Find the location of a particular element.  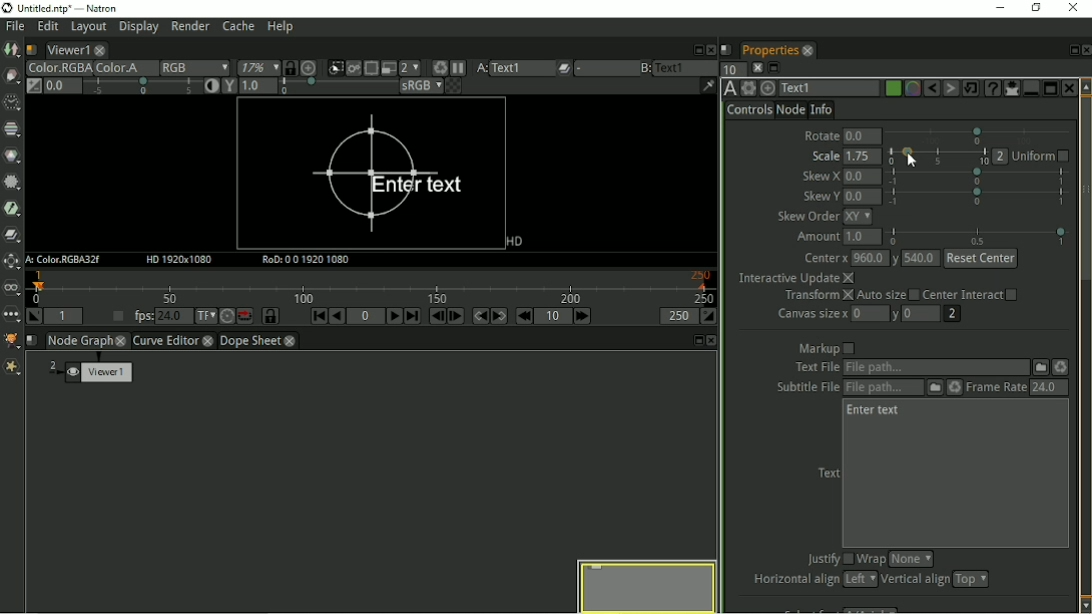

Next frame is located at coordinates (455, 316).